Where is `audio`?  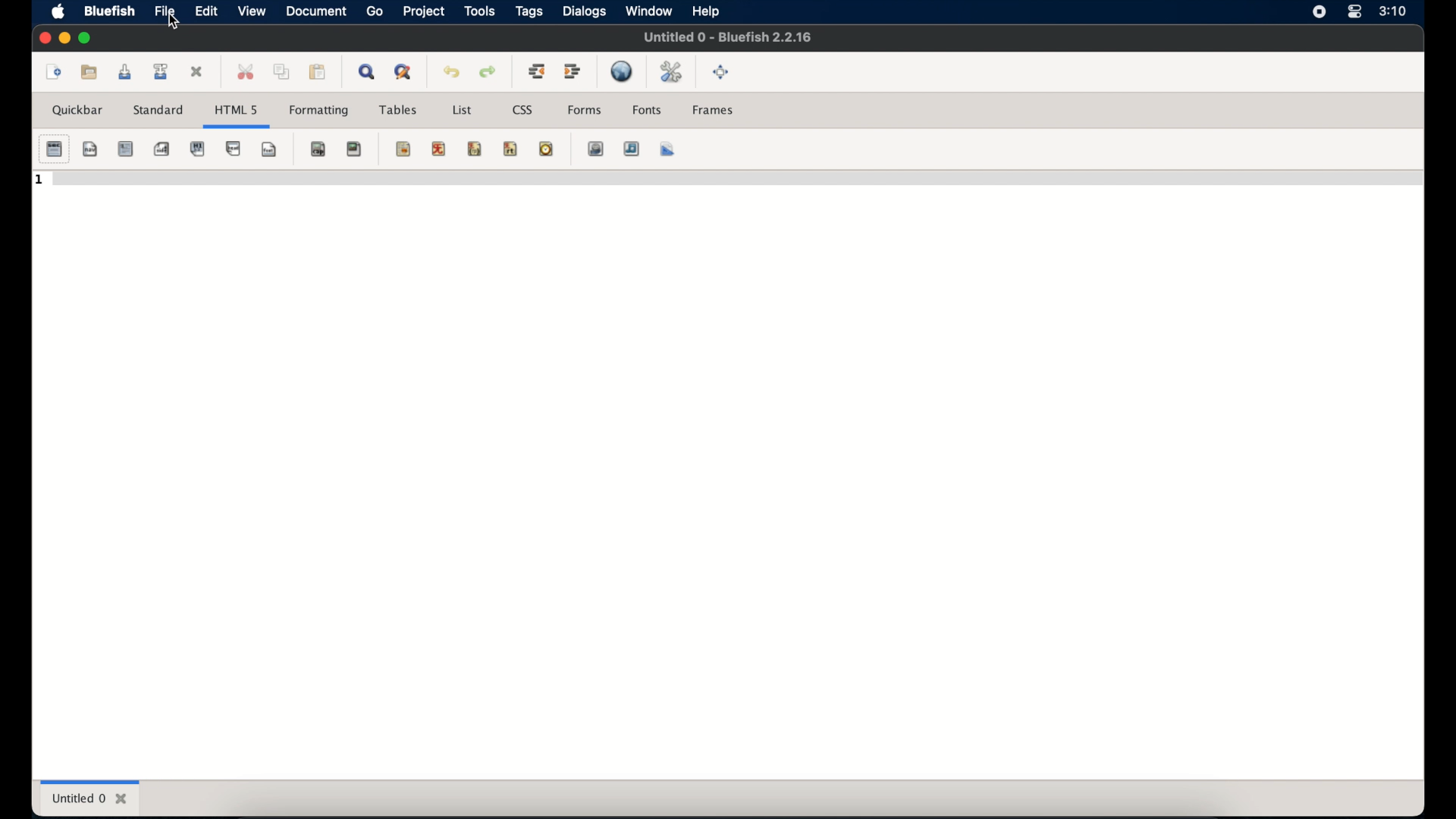
audio is located at coordinates (632, 149).